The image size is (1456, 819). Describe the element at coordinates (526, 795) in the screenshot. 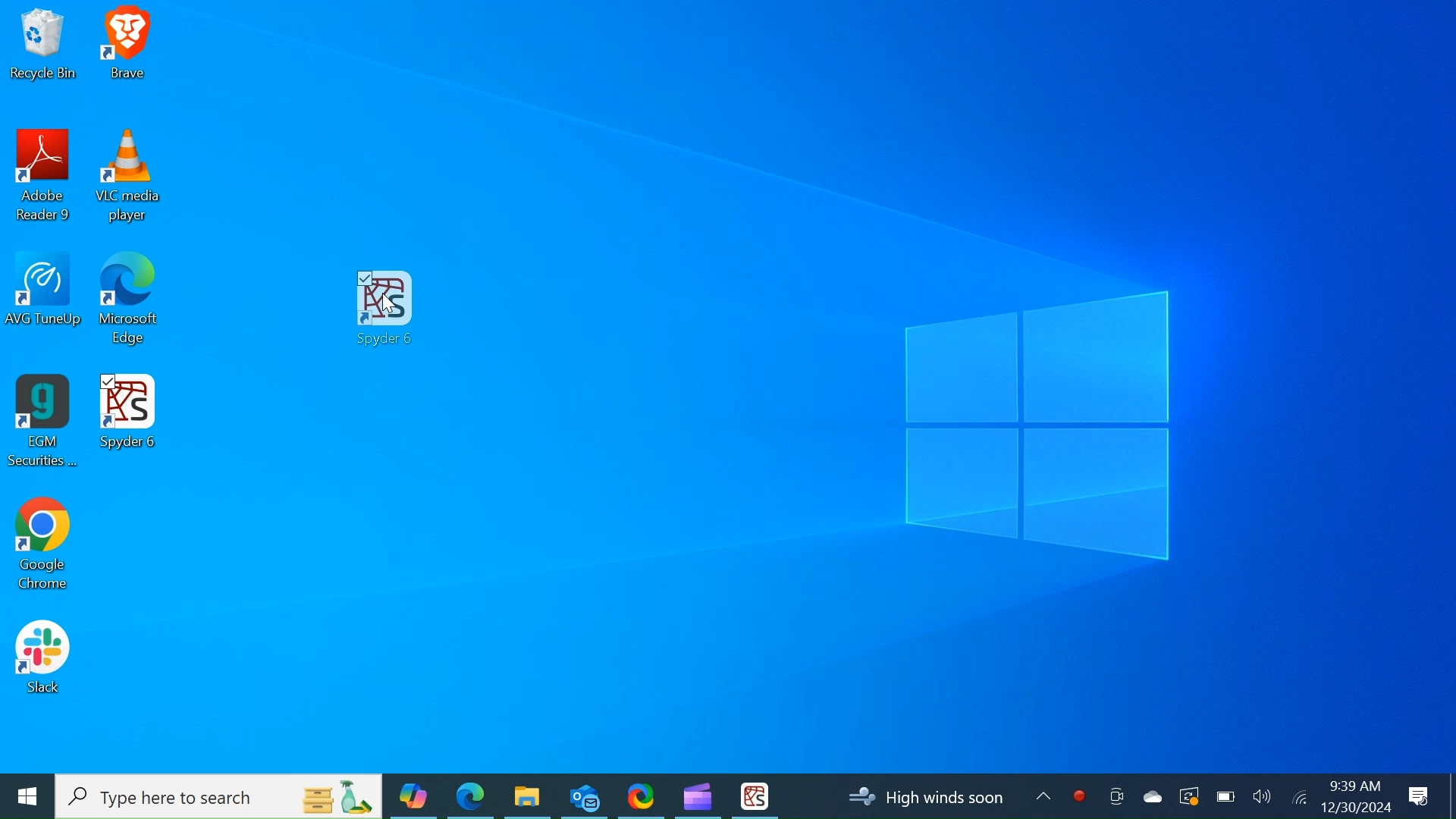

I see `File Explorer` at that location.